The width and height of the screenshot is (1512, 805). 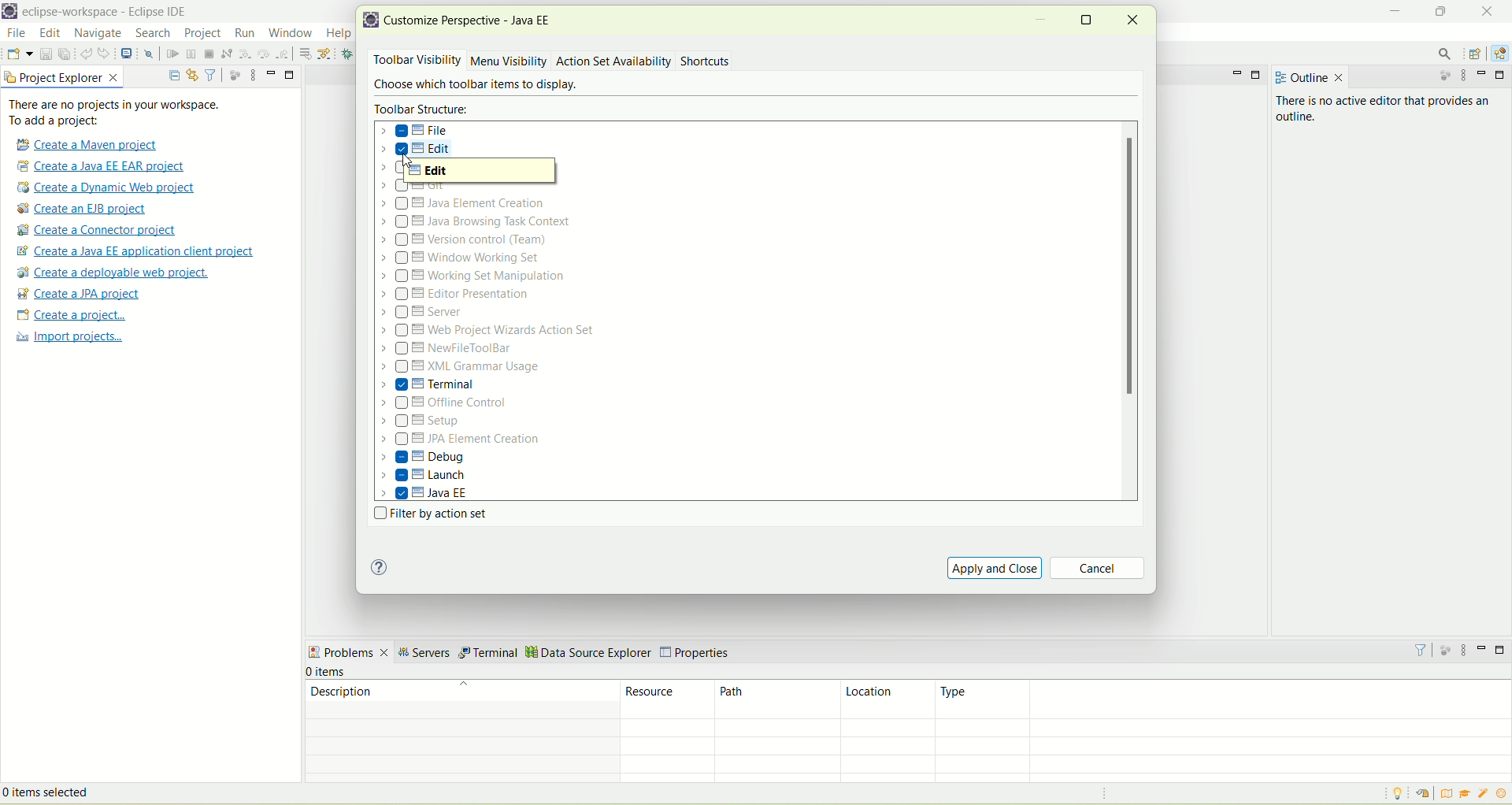 What do you see at coordinates (447, 350) in the screenshot?
I see `newfiletoolbar` at bounding box center [447, 350].